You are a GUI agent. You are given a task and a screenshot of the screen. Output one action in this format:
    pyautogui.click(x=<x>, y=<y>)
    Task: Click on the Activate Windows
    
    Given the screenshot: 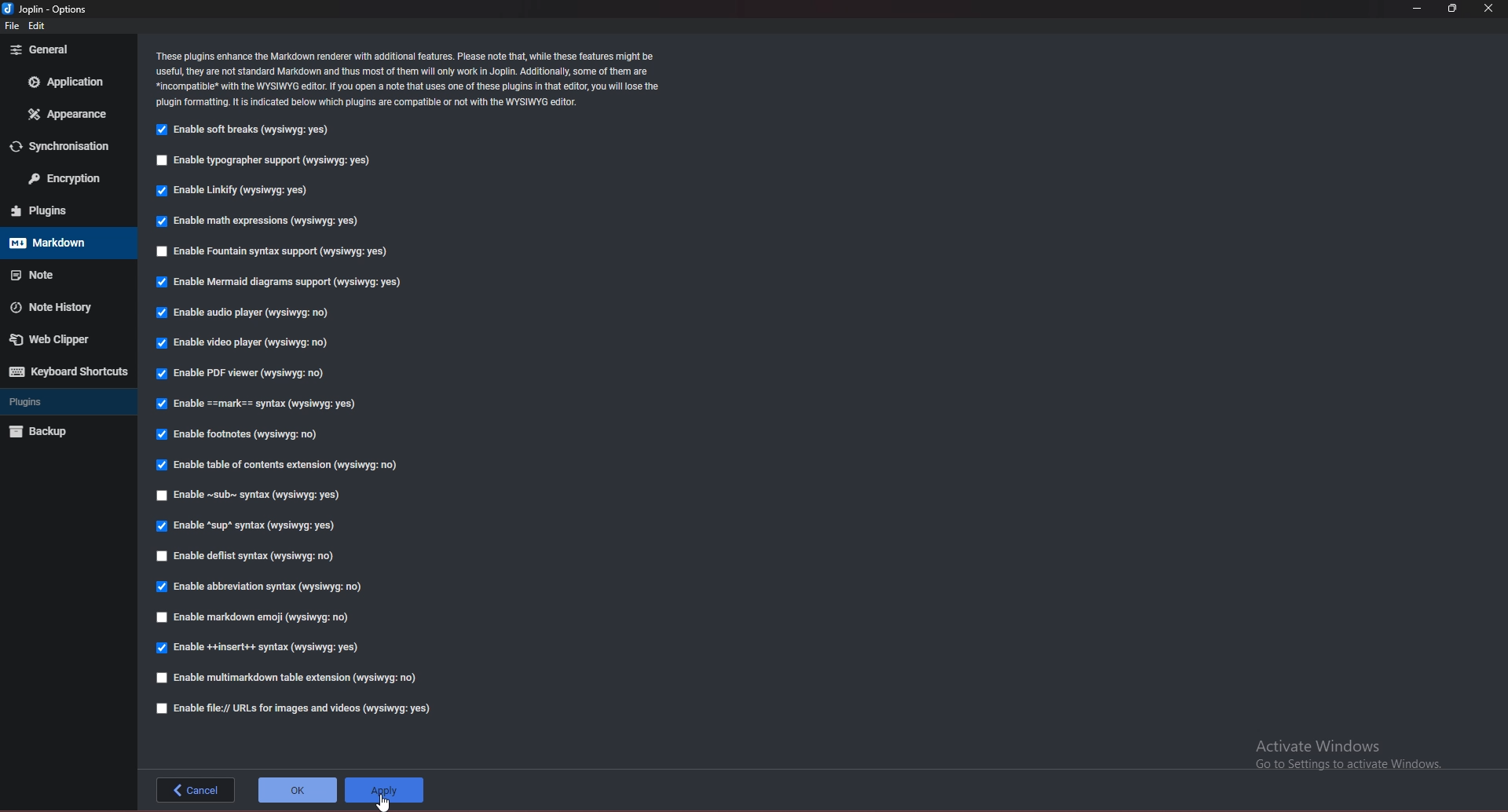 What is the action you would take?
    pyautogui.click(x=1346, y=751)
    